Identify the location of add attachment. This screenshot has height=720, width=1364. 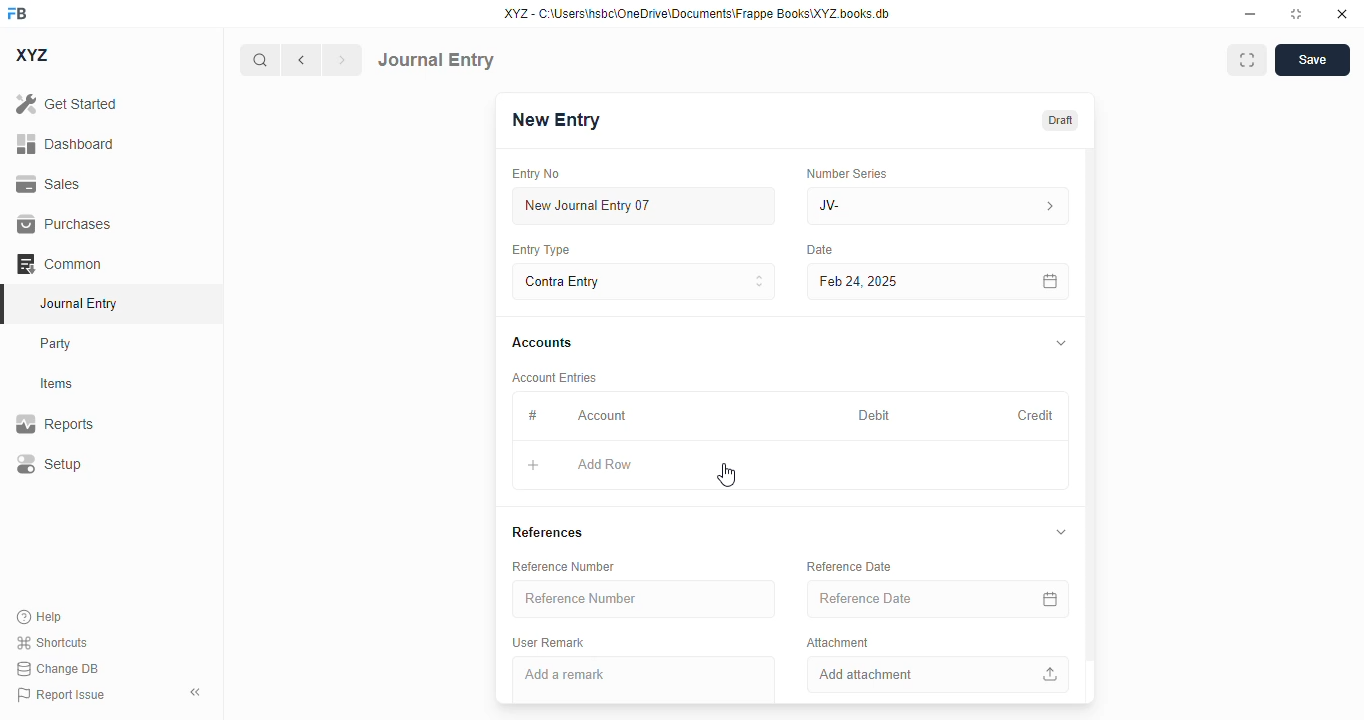
(937, 675).